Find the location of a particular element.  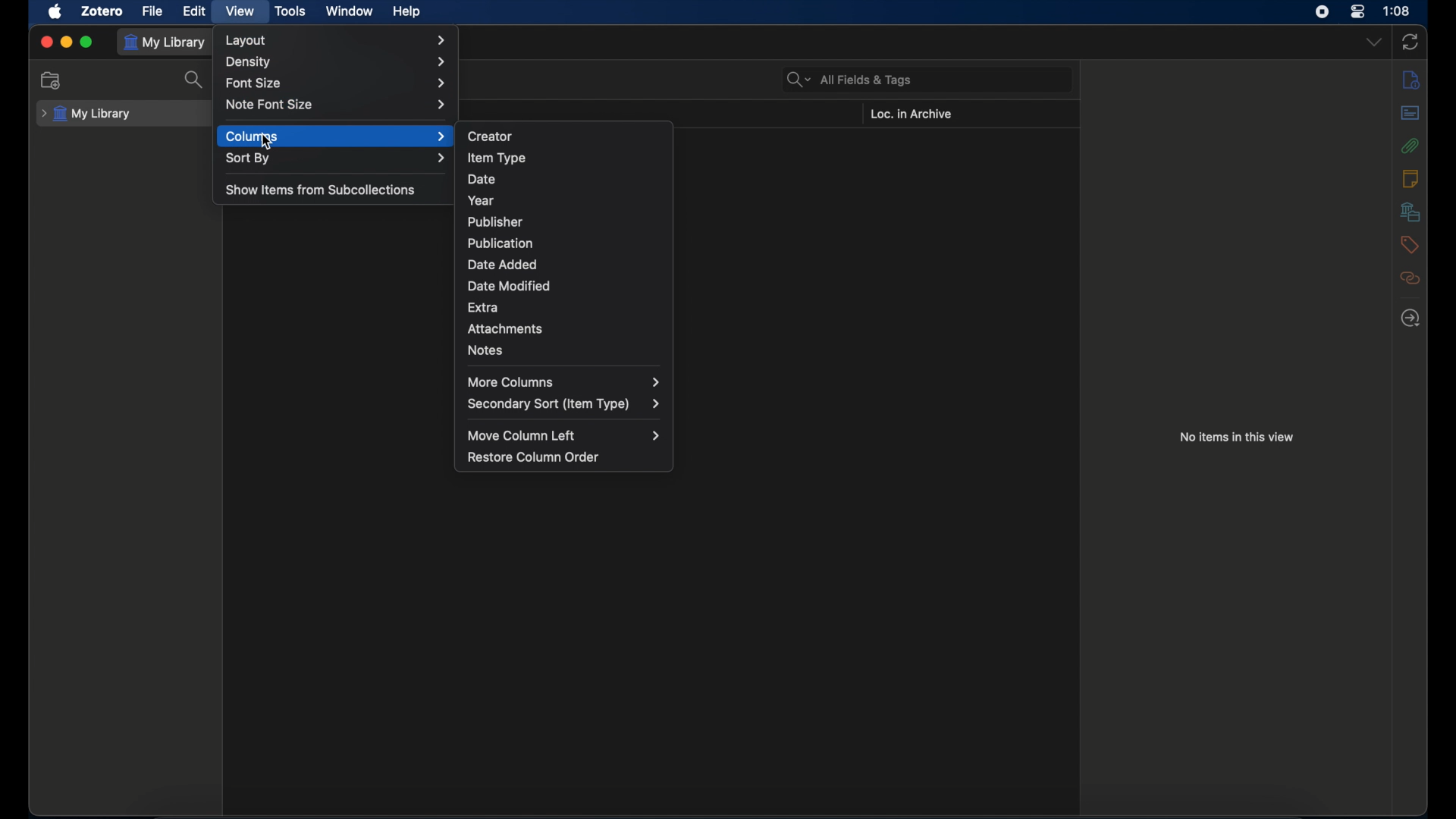

minimize is located at coordinates (65, 40).